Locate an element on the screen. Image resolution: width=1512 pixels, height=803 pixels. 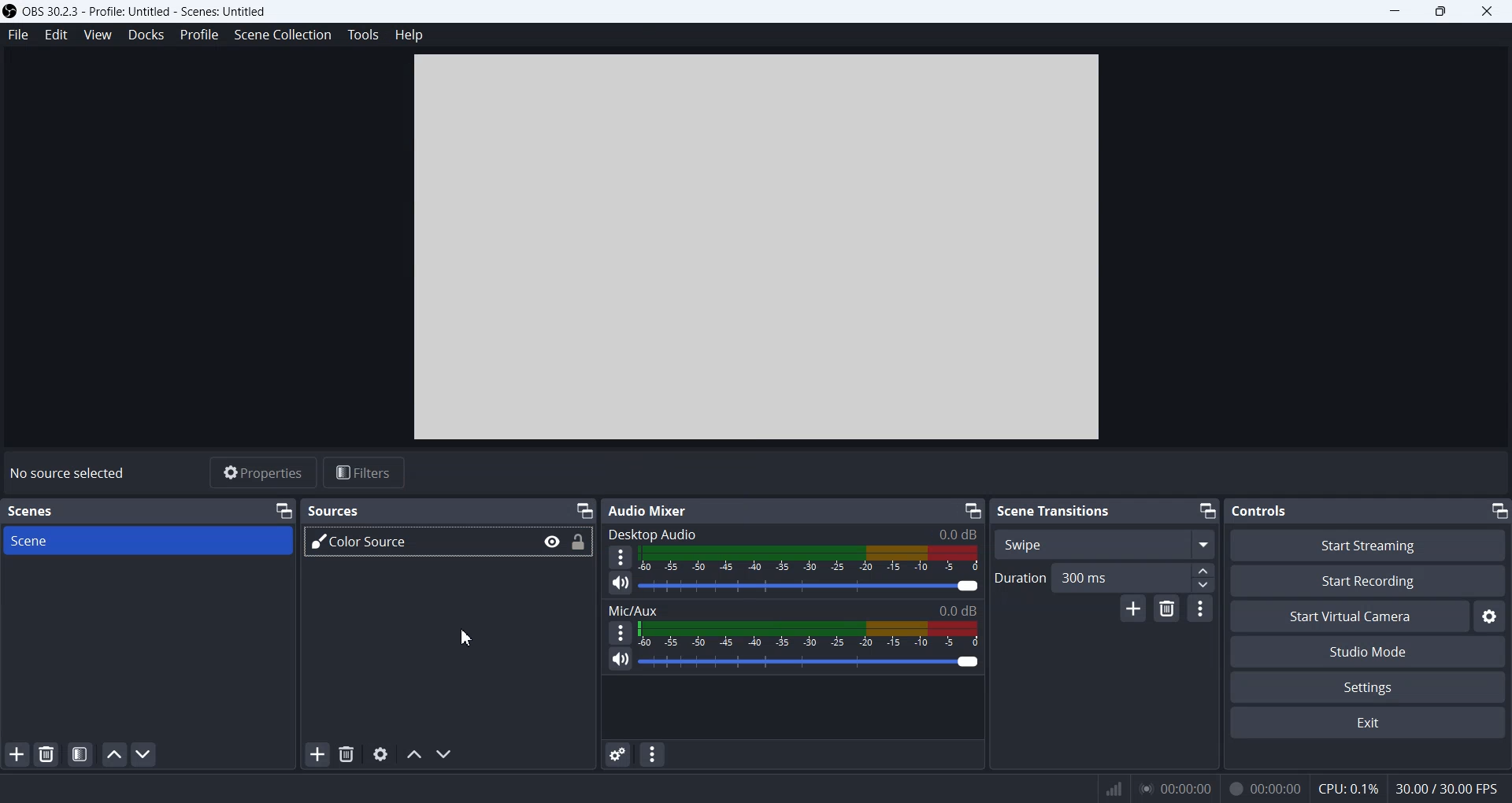
Add configurable transition is located at coordinates (1133, 609).